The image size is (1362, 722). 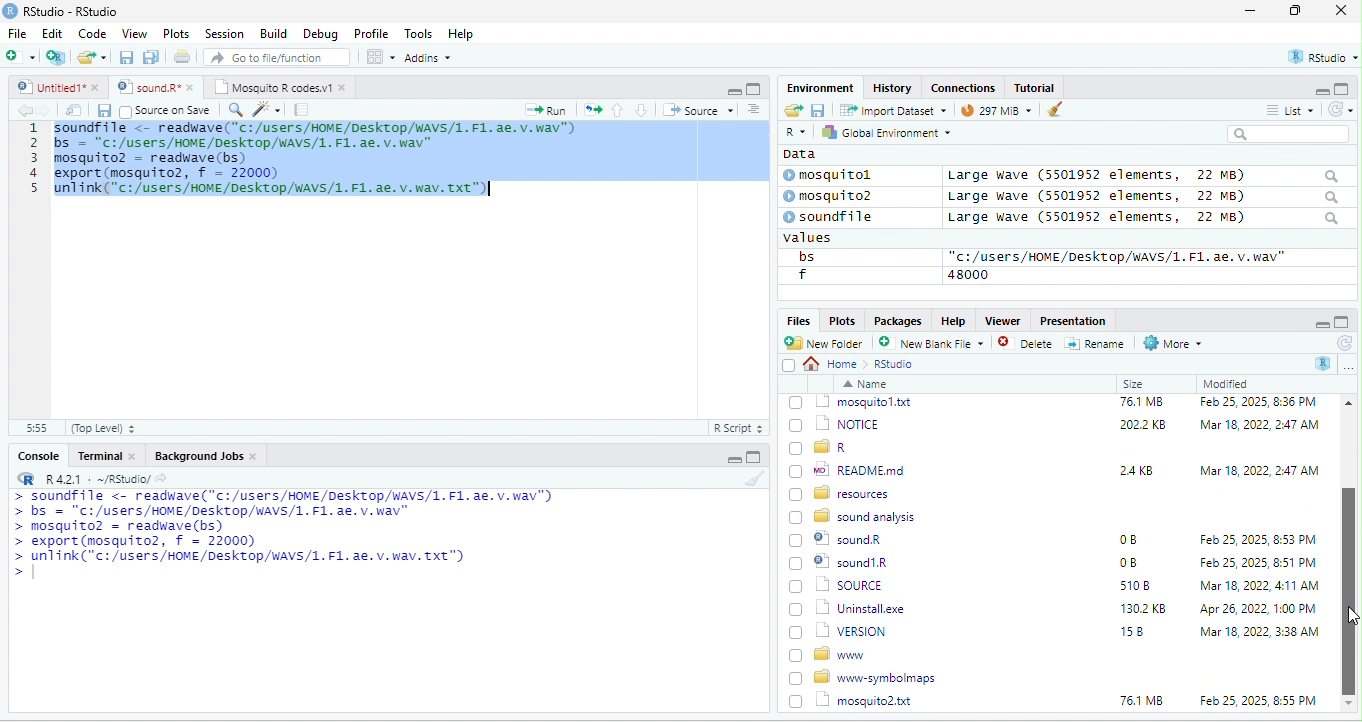 What do you see at coordinates (1171, 344) in the screenshot?
I see ` More ` at bounding box center [1171, 344].